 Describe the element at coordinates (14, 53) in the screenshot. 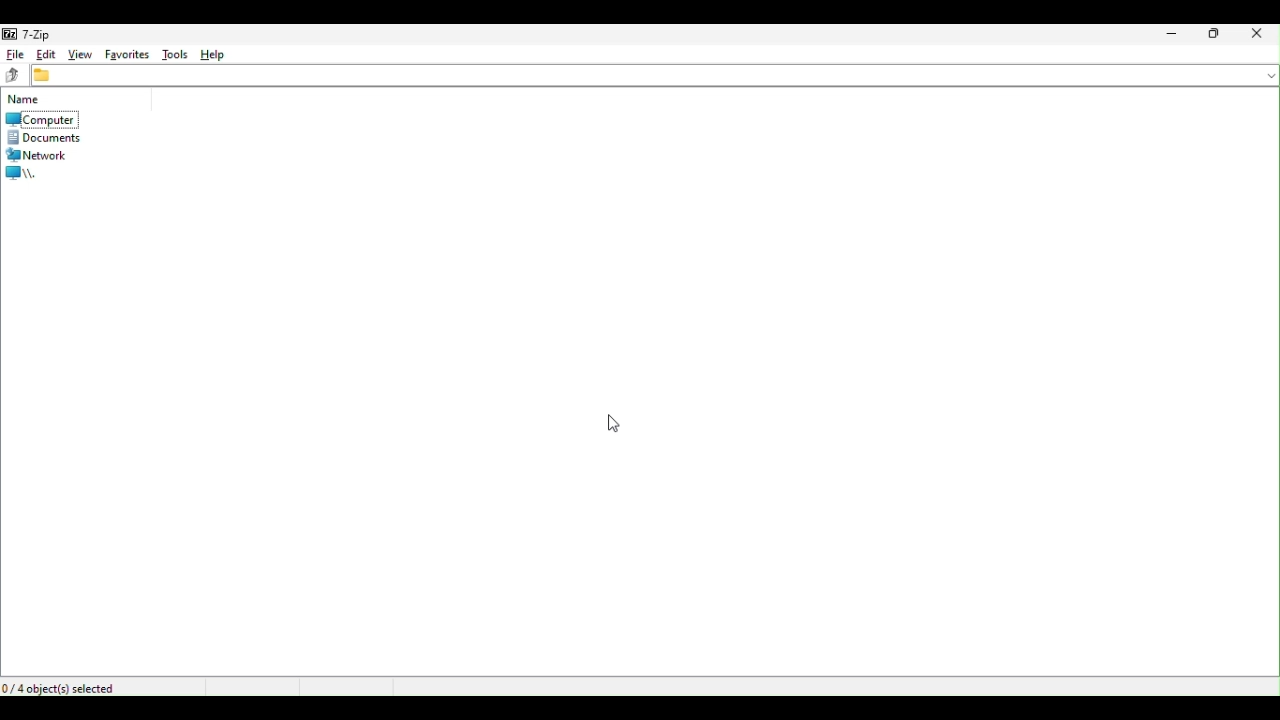

I see `File` at that location.